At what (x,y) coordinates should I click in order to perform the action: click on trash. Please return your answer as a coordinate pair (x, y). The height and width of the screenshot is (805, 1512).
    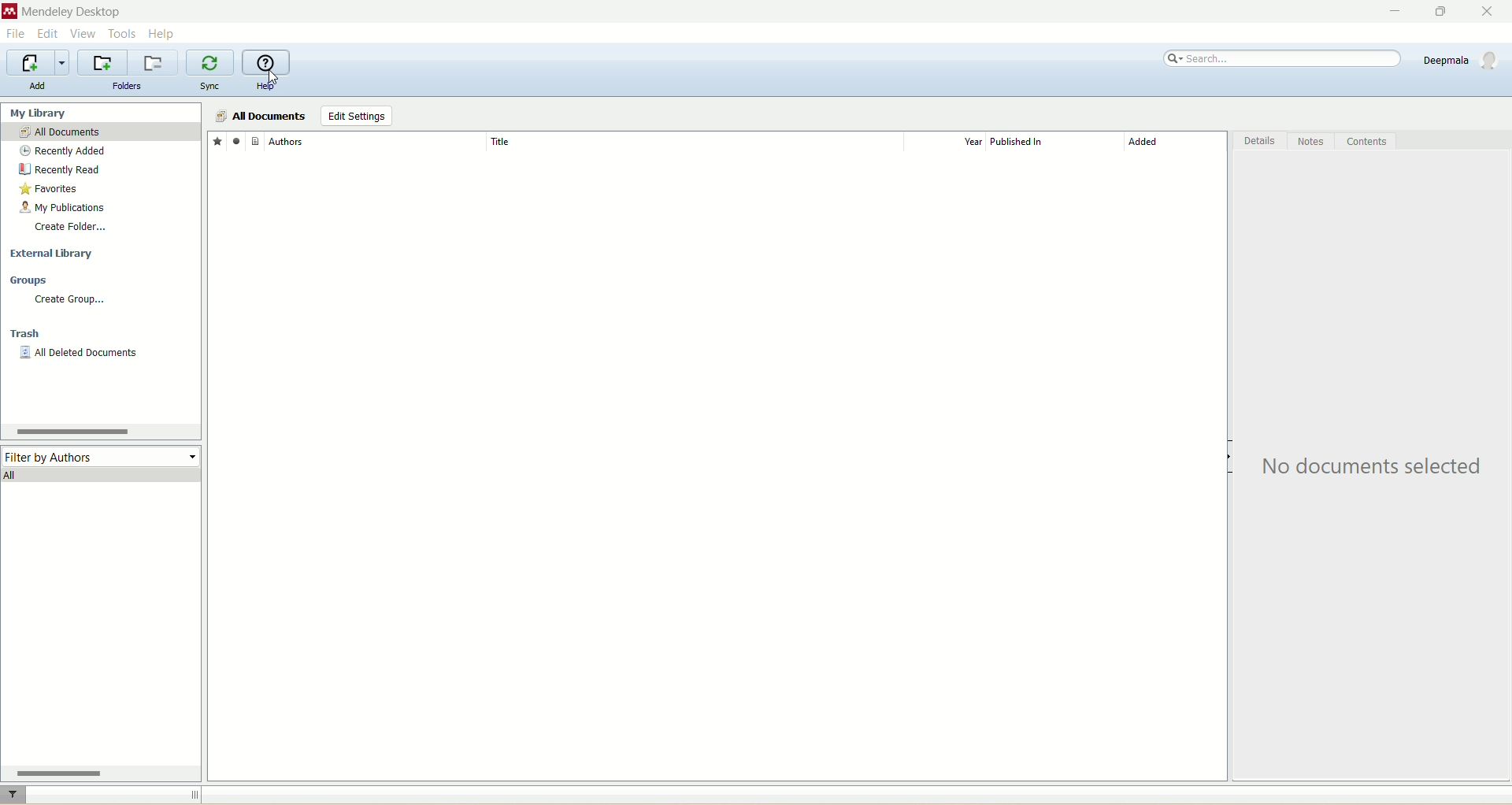
    Looking at the image, I should click on (25, 333).